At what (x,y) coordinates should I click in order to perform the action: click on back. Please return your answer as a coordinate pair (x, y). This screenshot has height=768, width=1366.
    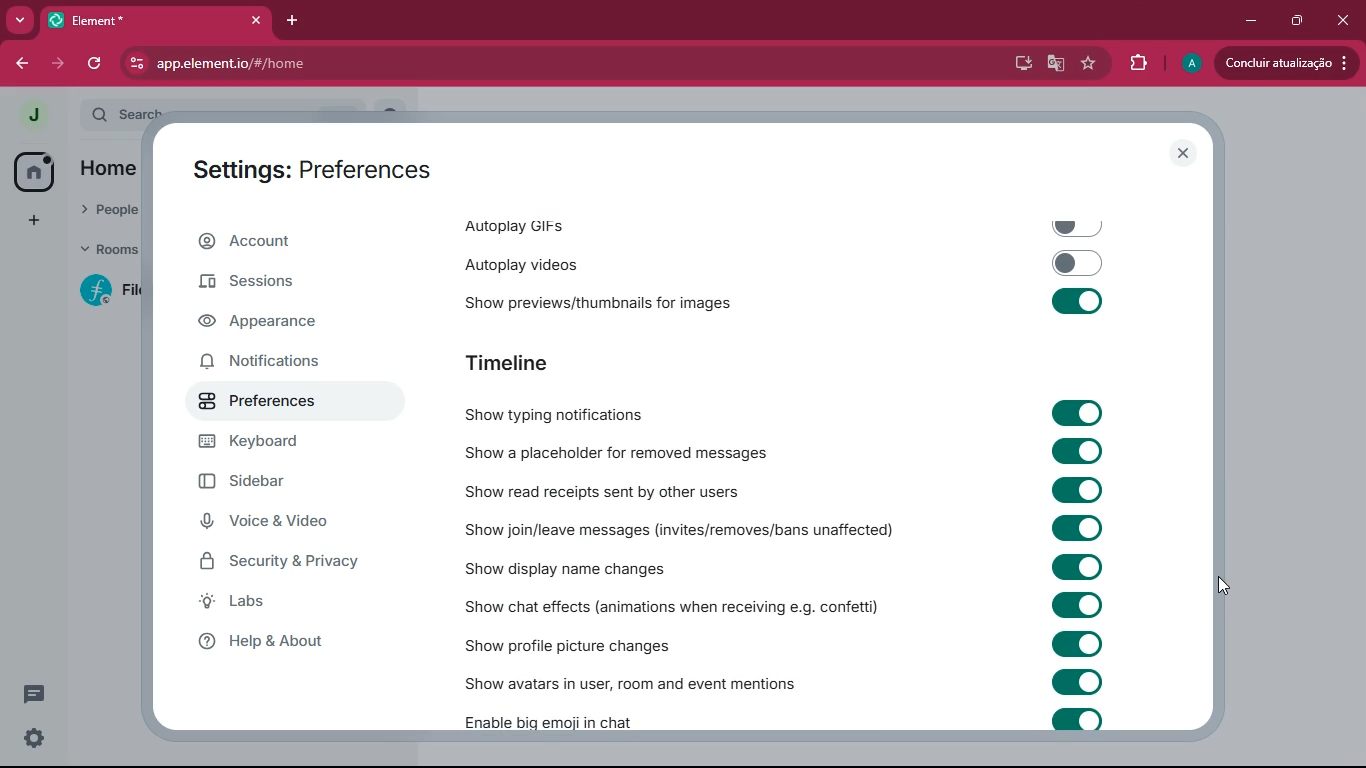
    Looking at the image, I should click on (23, 64).